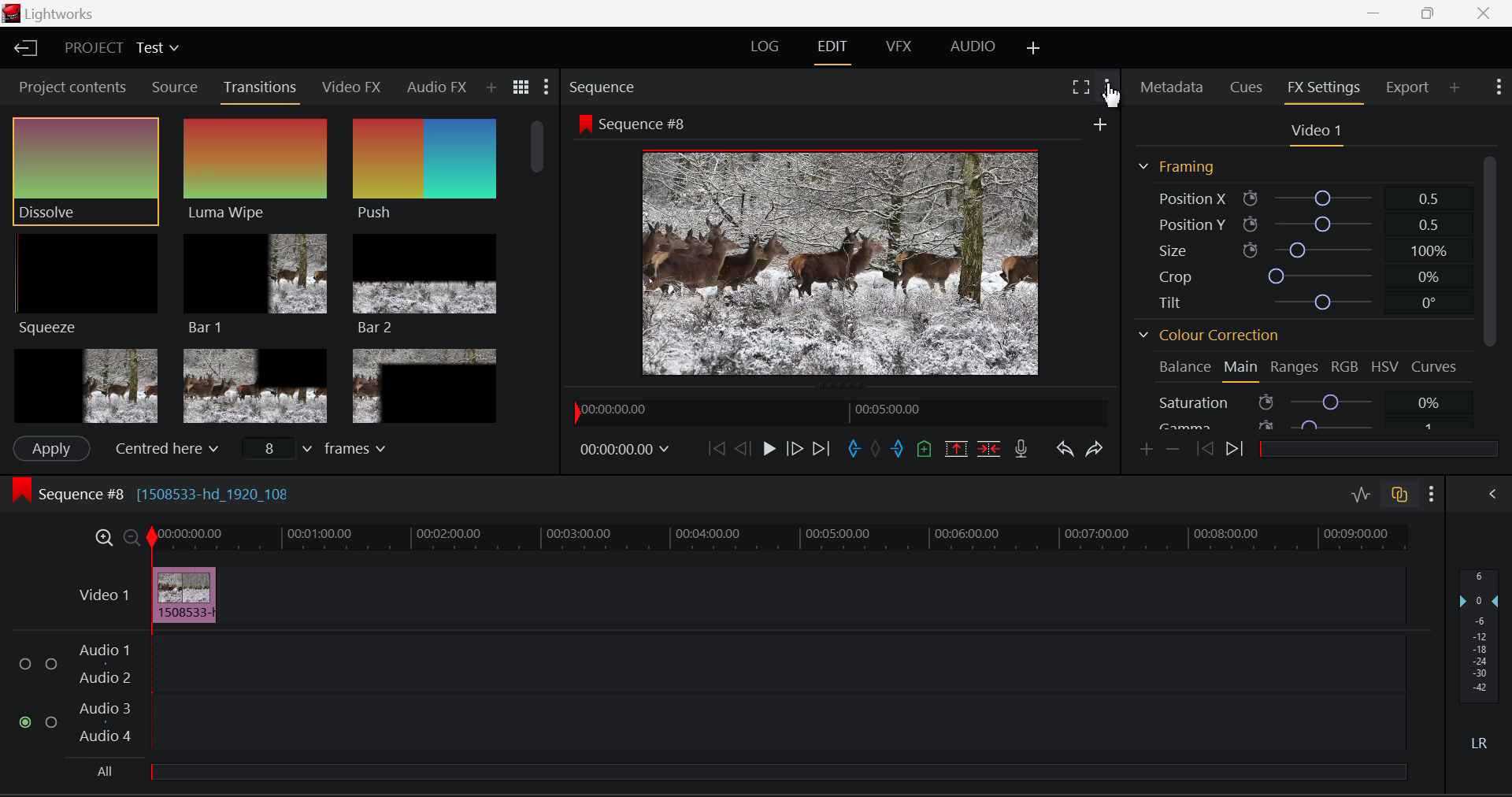 This screenshot has width=1512, height=797. Describe the element at coordinates (1405, 87) in the screenshot. I see `Export` at that location.